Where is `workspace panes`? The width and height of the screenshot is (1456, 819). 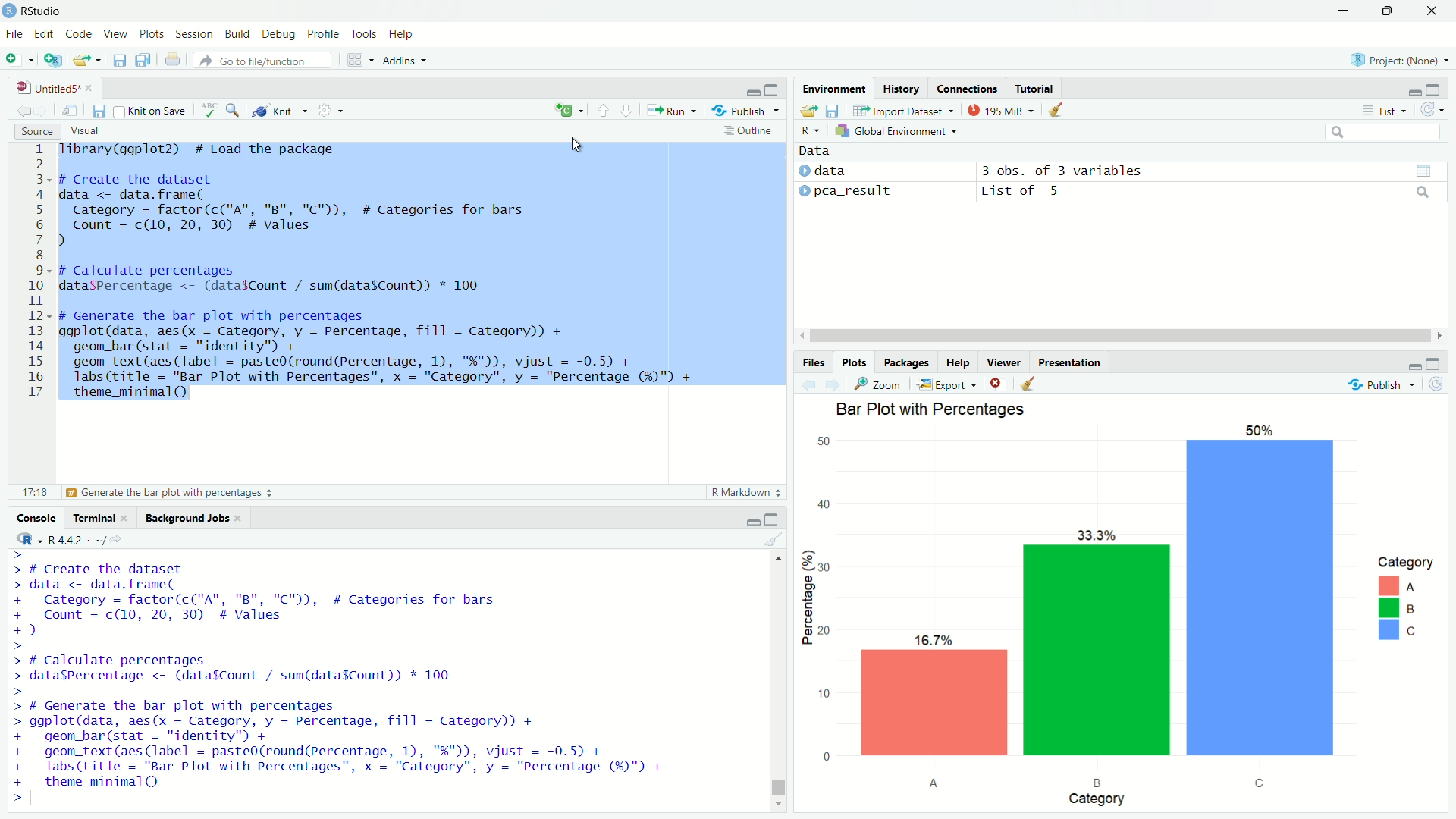 workspace panes is located at coordinates (357, 59).